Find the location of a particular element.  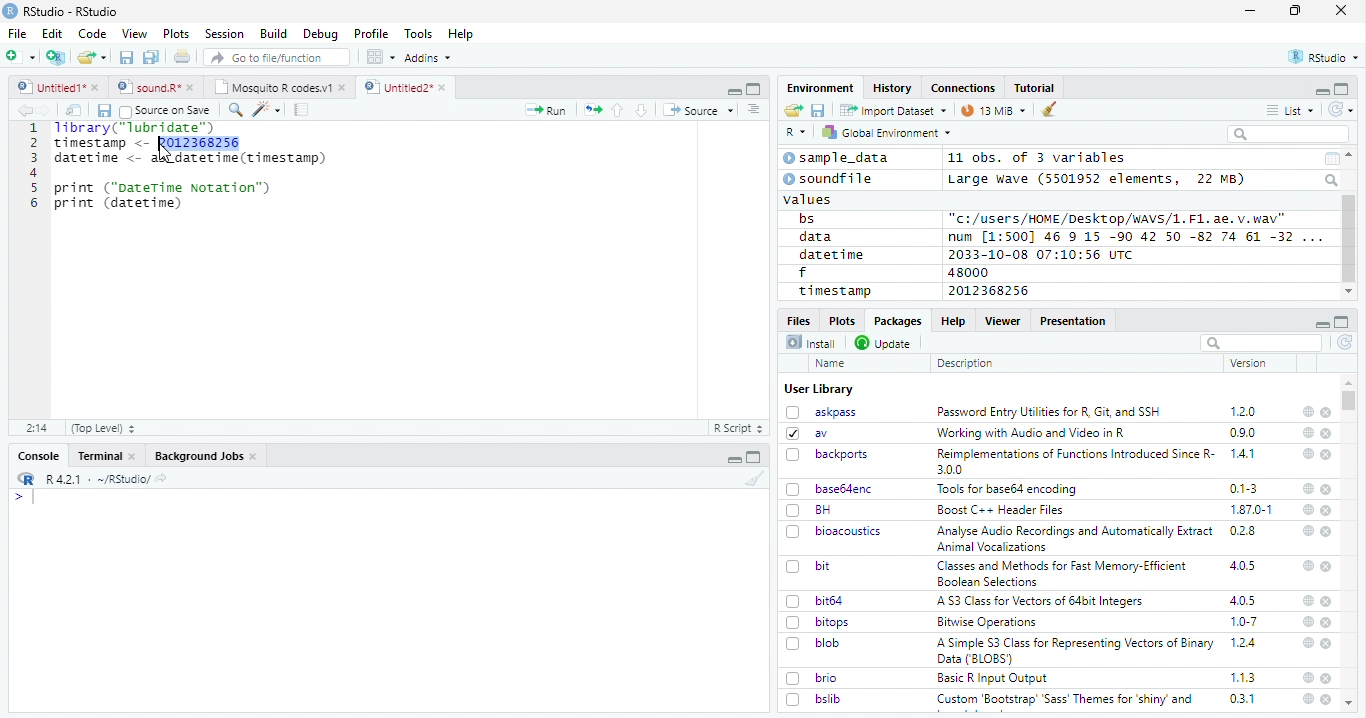

RStudio - RStudio is located at coordinates (71, 11).